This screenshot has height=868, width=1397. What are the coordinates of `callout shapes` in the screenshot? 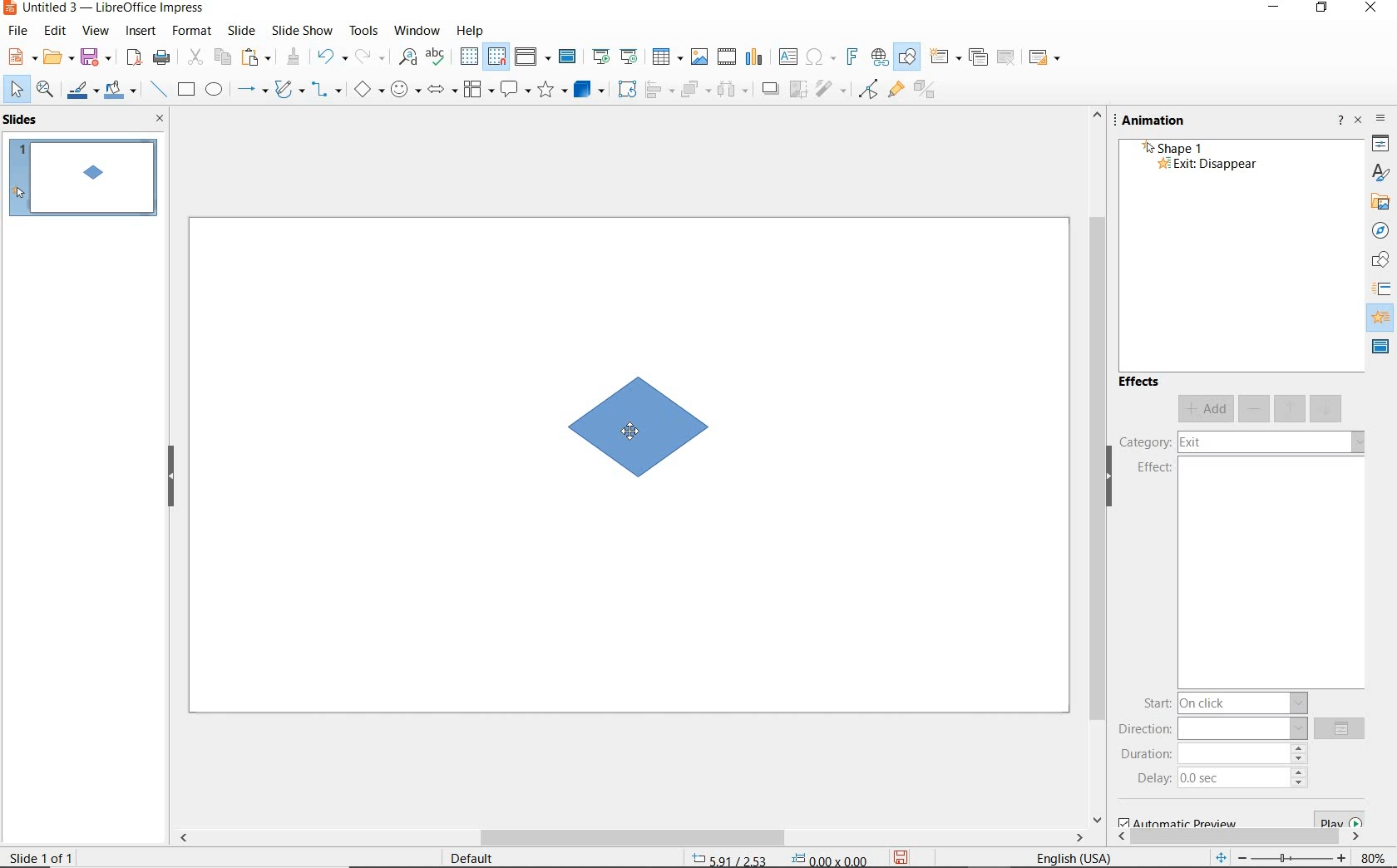 It's located at (516, 89).